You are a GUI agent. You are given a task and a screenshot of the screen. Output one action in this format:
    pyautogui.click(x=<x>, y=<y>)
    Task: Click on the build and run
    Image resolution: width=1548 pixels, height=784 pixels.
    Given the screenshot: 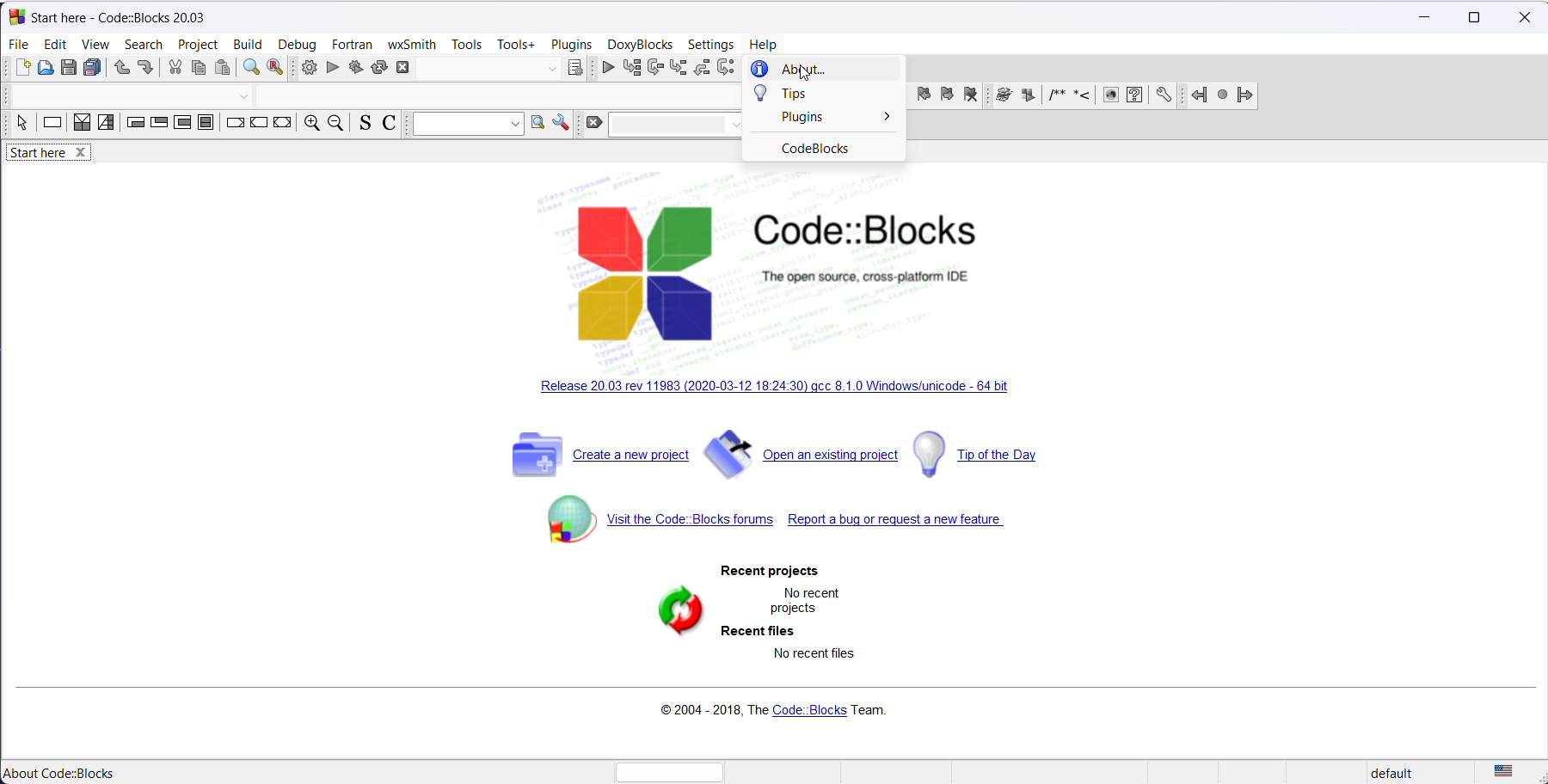 What is the action you would take?
    pyautogui.click(x=355, y=70)
    